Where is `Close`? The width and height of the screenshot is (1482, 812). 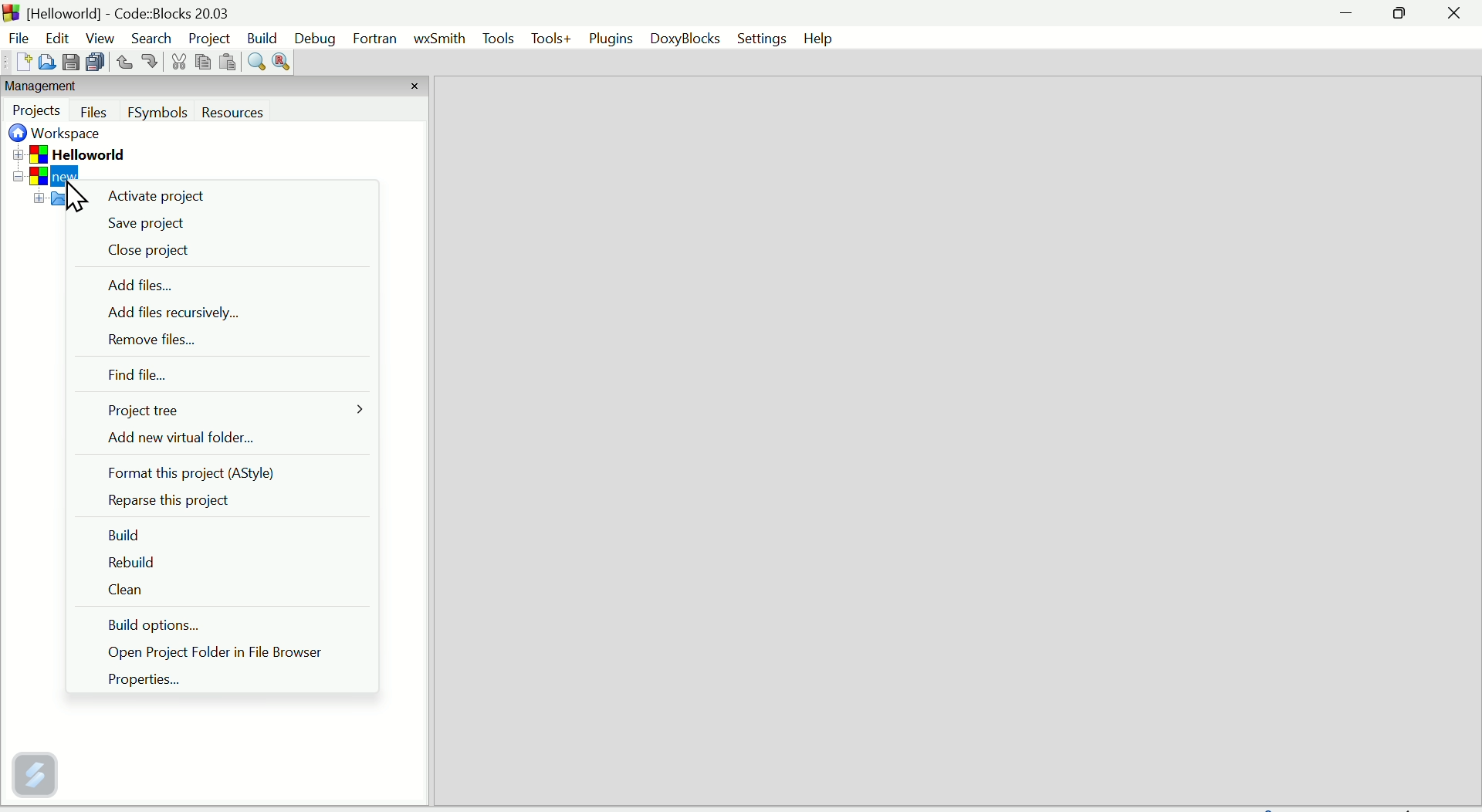 Close is located at coordinates (1453, 18).